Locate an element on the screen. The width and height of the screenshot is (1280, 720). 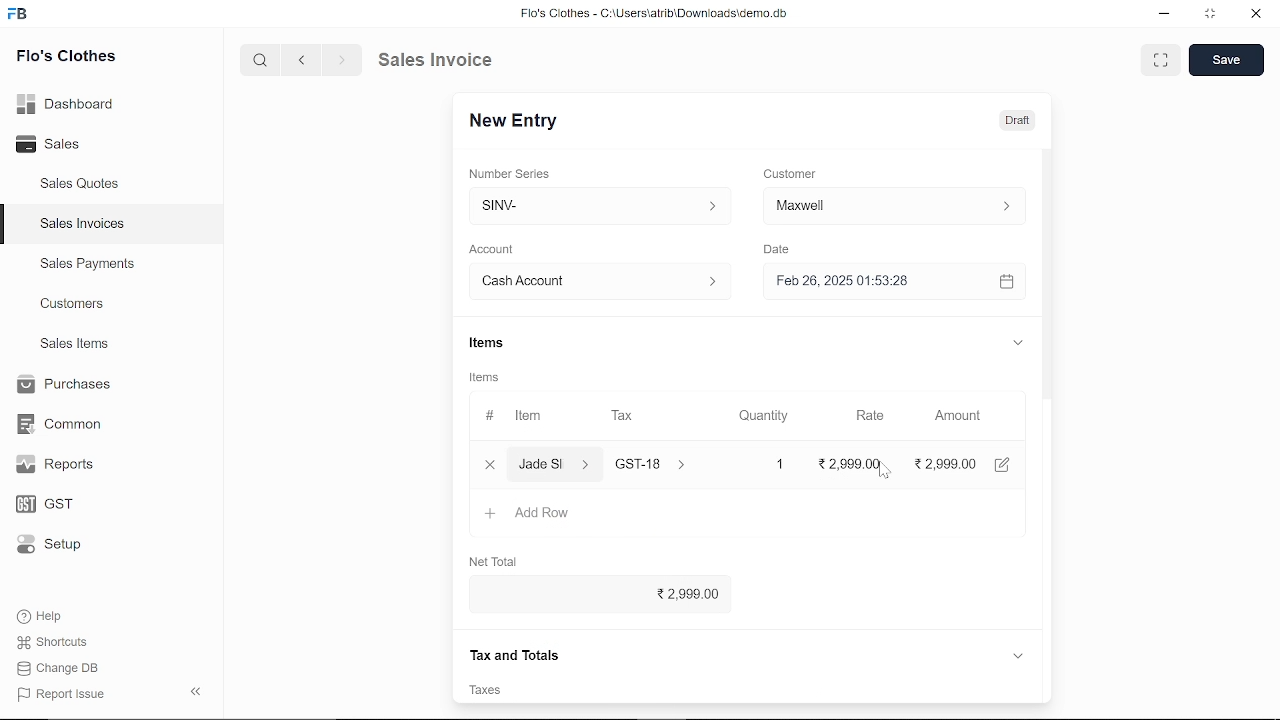
SINV-  is located at coordinates (595, 206).